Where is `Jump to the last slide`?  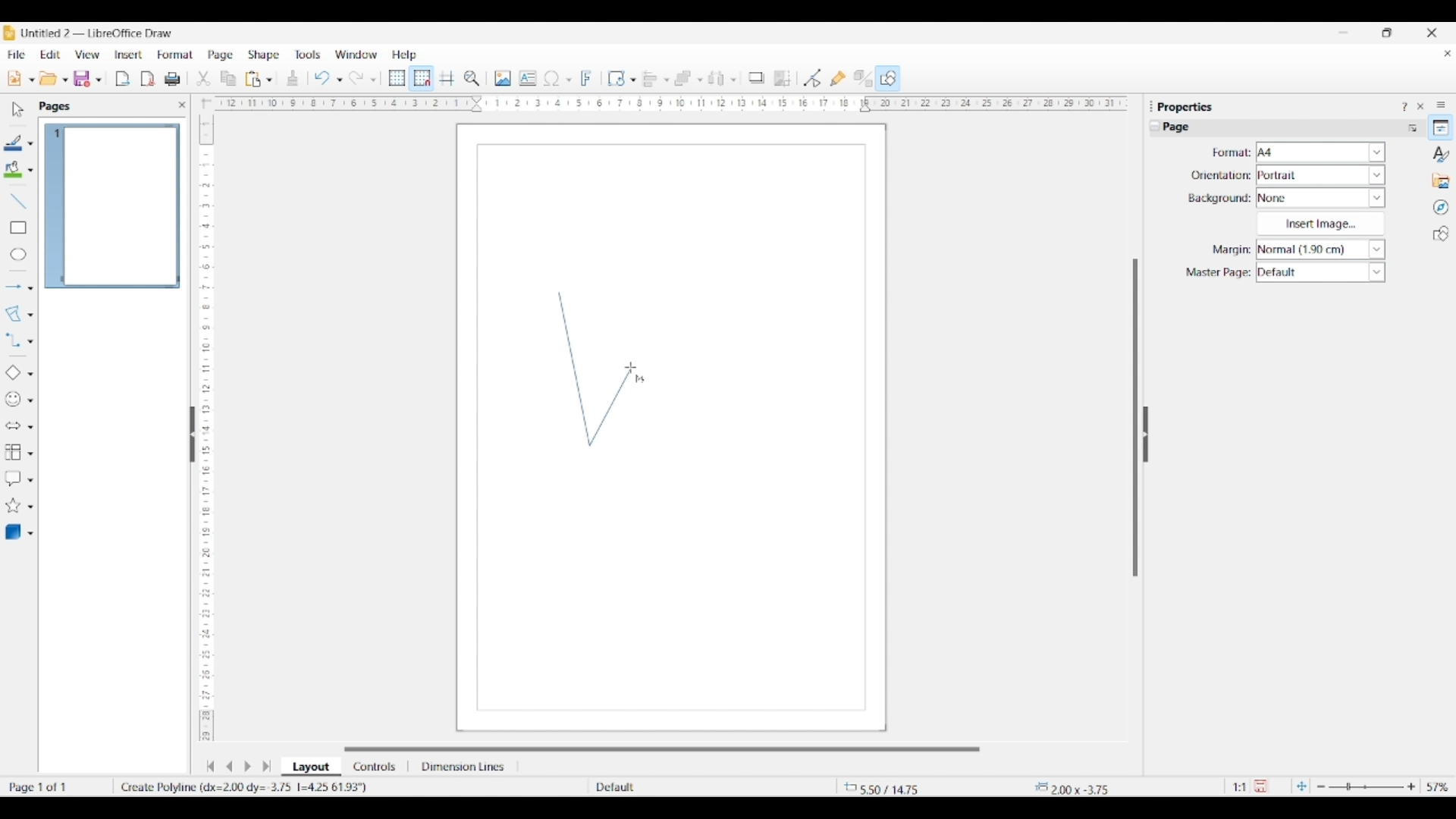 Jump to the last slide is located at coordinates (267, 766).